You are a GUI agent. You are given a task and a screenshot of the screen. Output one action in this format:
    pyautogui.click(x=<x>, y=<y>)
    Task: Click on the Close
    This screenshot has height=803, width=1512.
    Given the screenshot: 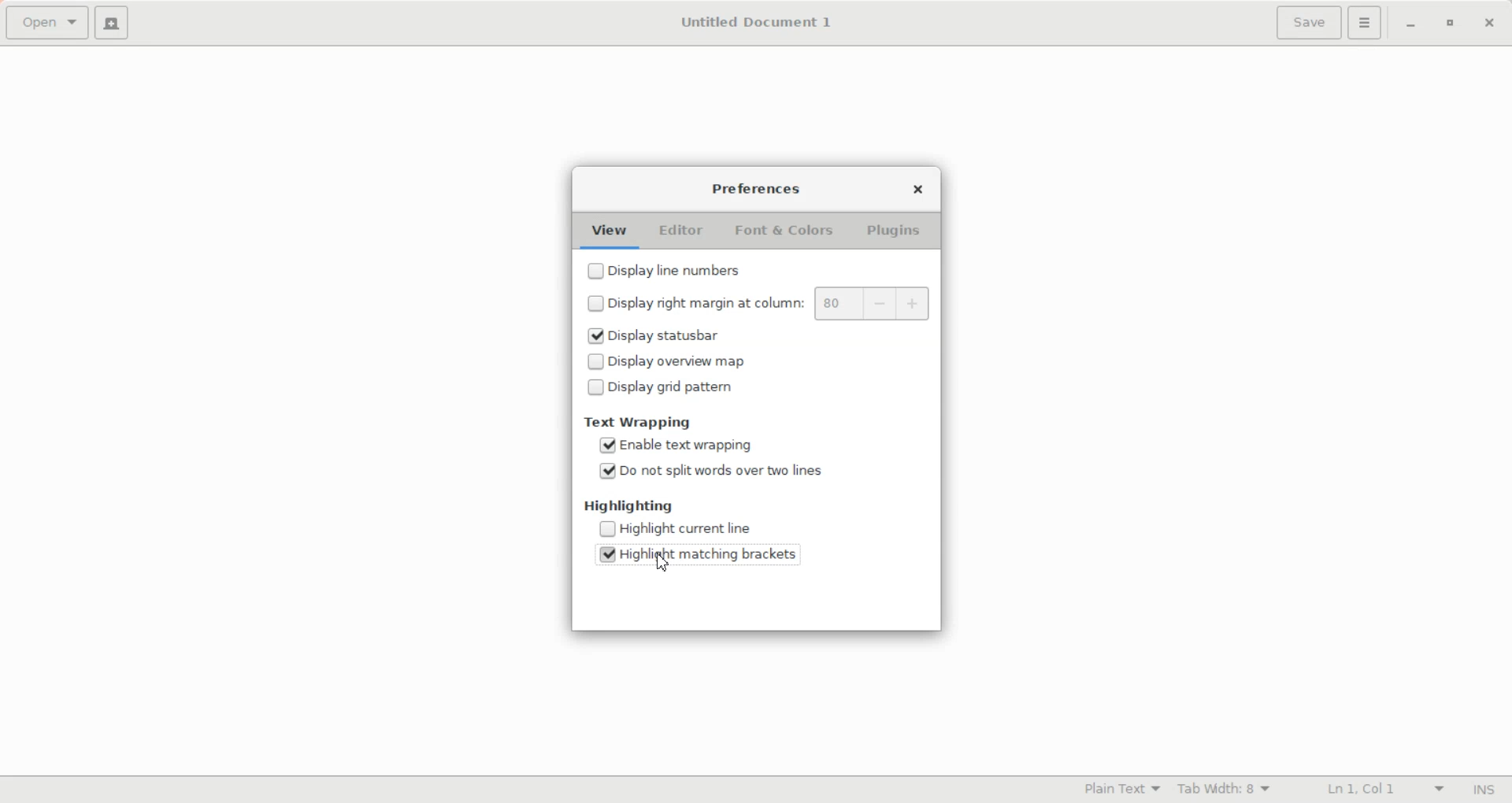 What is the action you would take?
    pyautogui.click(x=918, y=187)
    